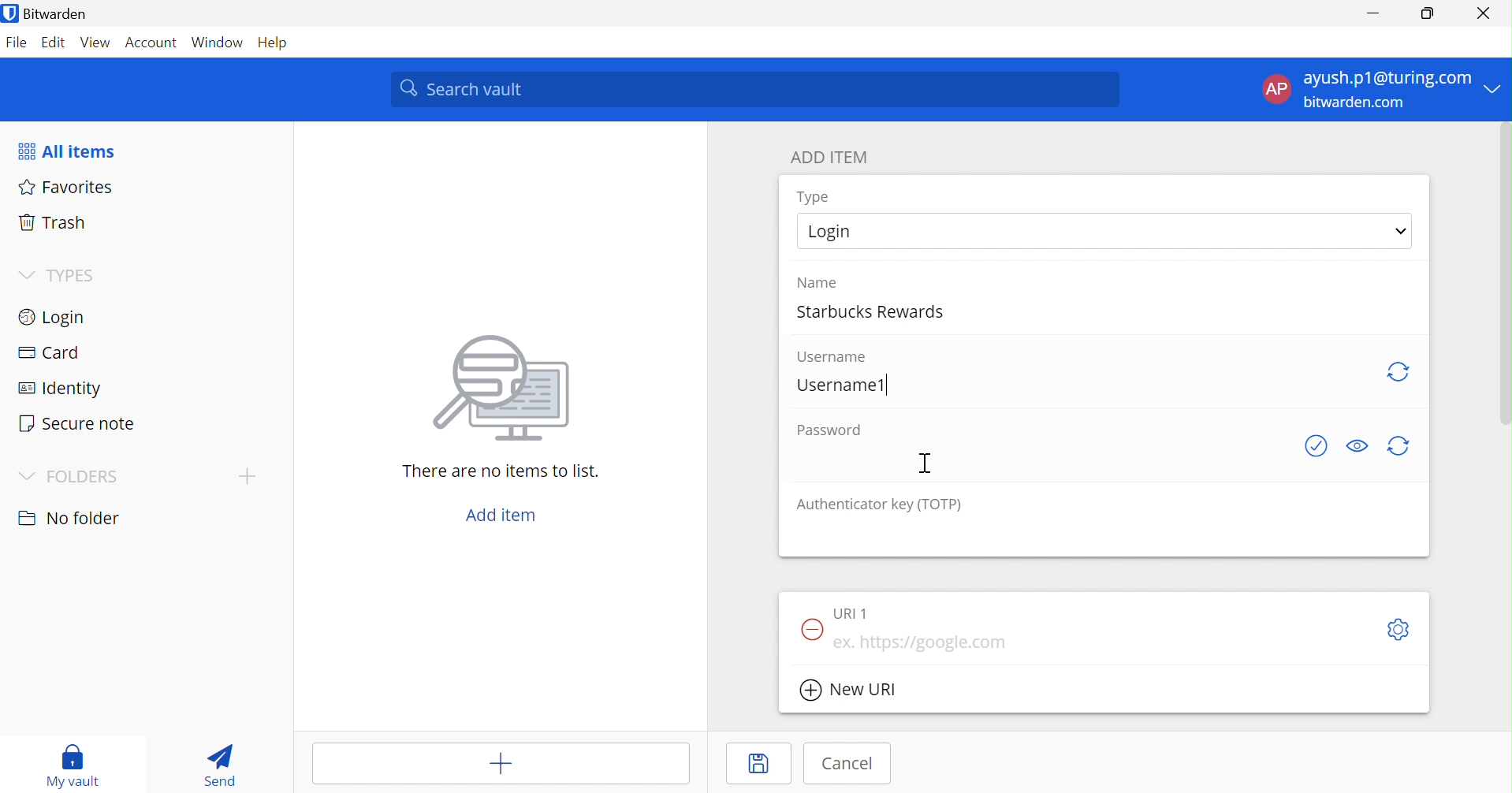 The image size is (1512, 793). I want to click on Trash, so click(51, 225).